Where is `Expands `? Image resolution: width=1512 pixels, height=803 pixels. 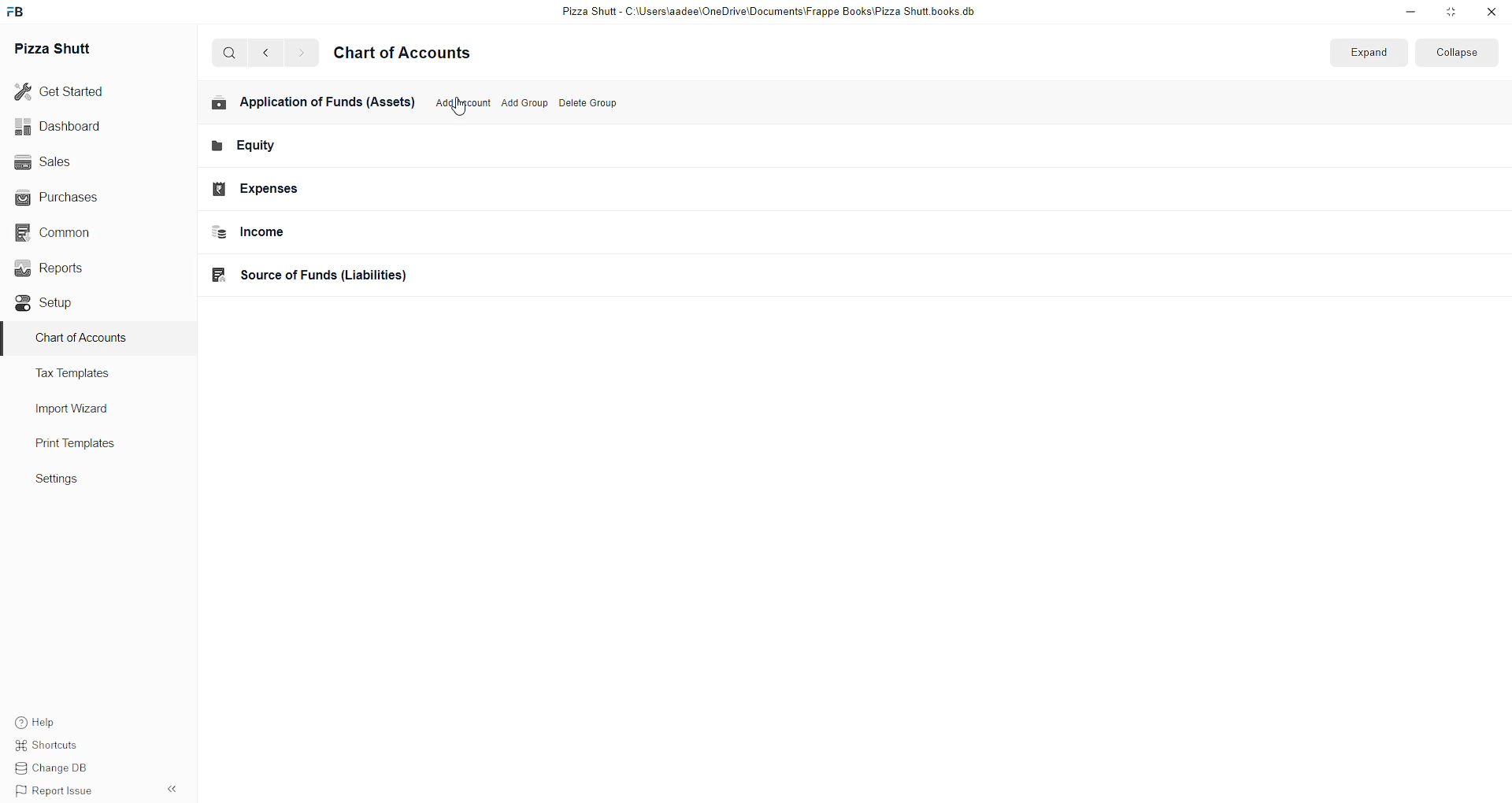
Expands  is located at coordinates (1373, 55).